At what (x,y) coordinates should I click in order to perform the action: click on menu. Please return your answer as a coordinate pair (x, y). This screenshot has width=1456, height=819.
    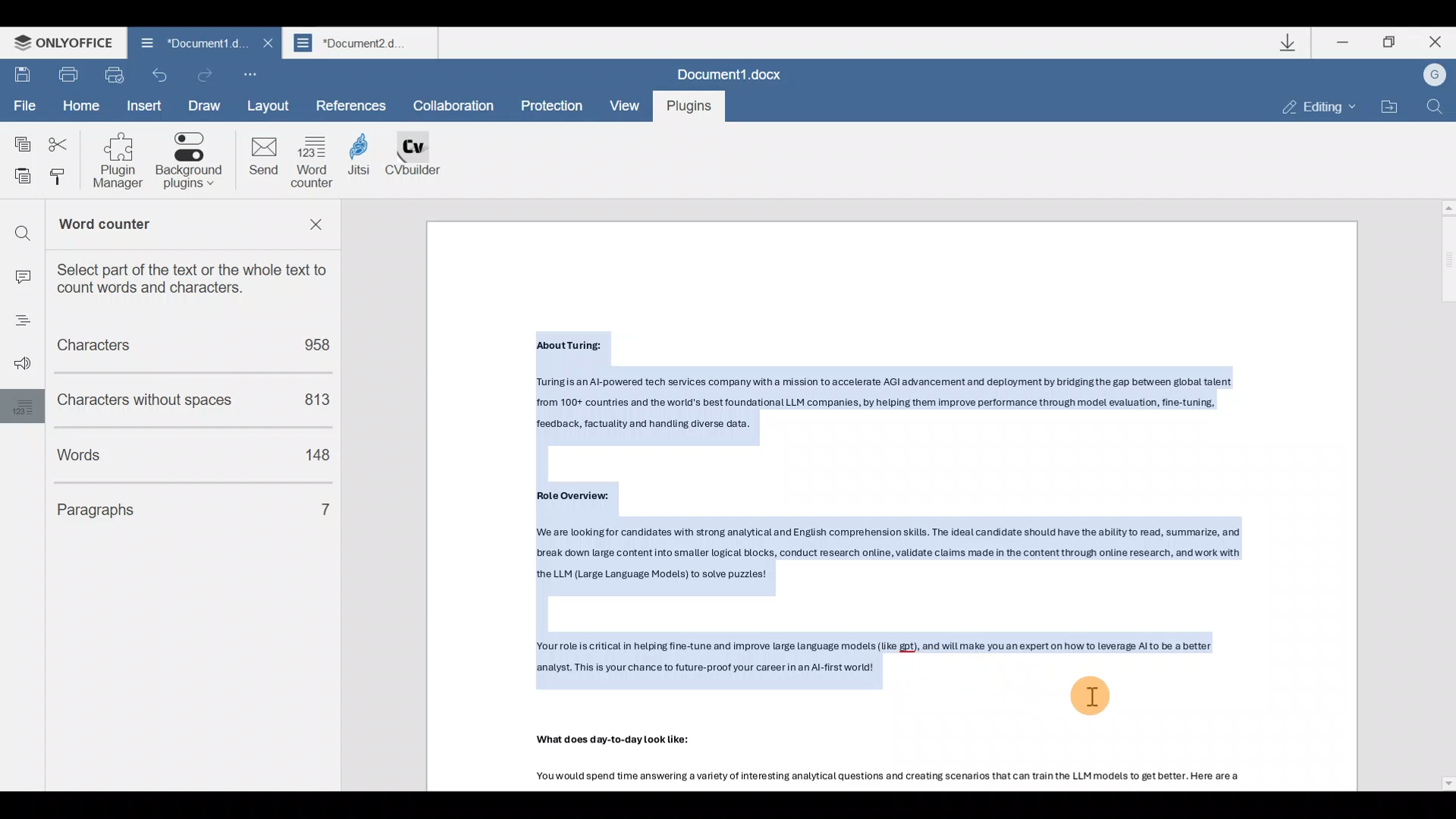
    Looking at the image, I should click on (17, 324).